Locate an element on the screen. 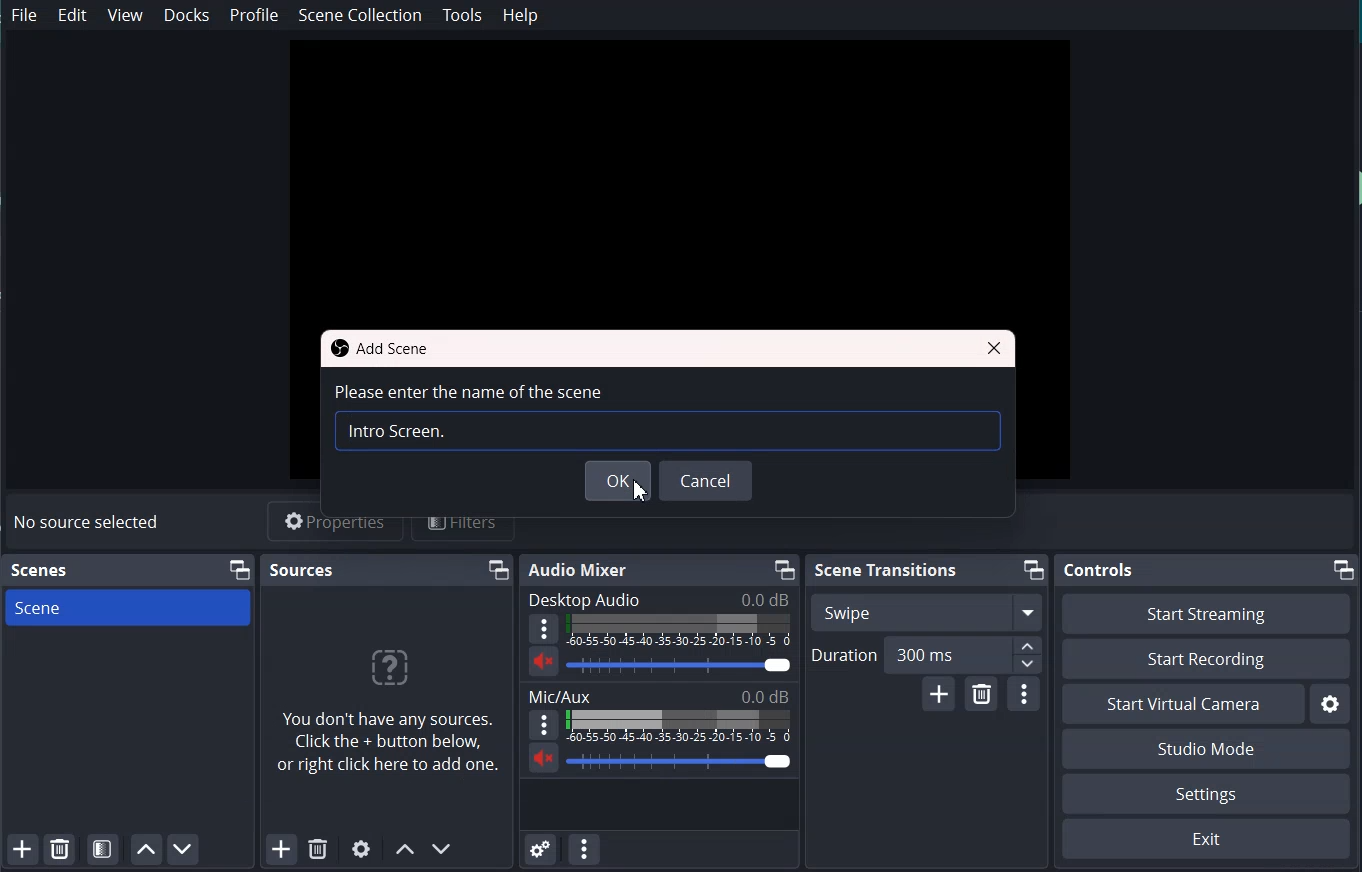 This screenshot has height=872, width=1362. Studio Mode is located at coordinates (1207, 748).